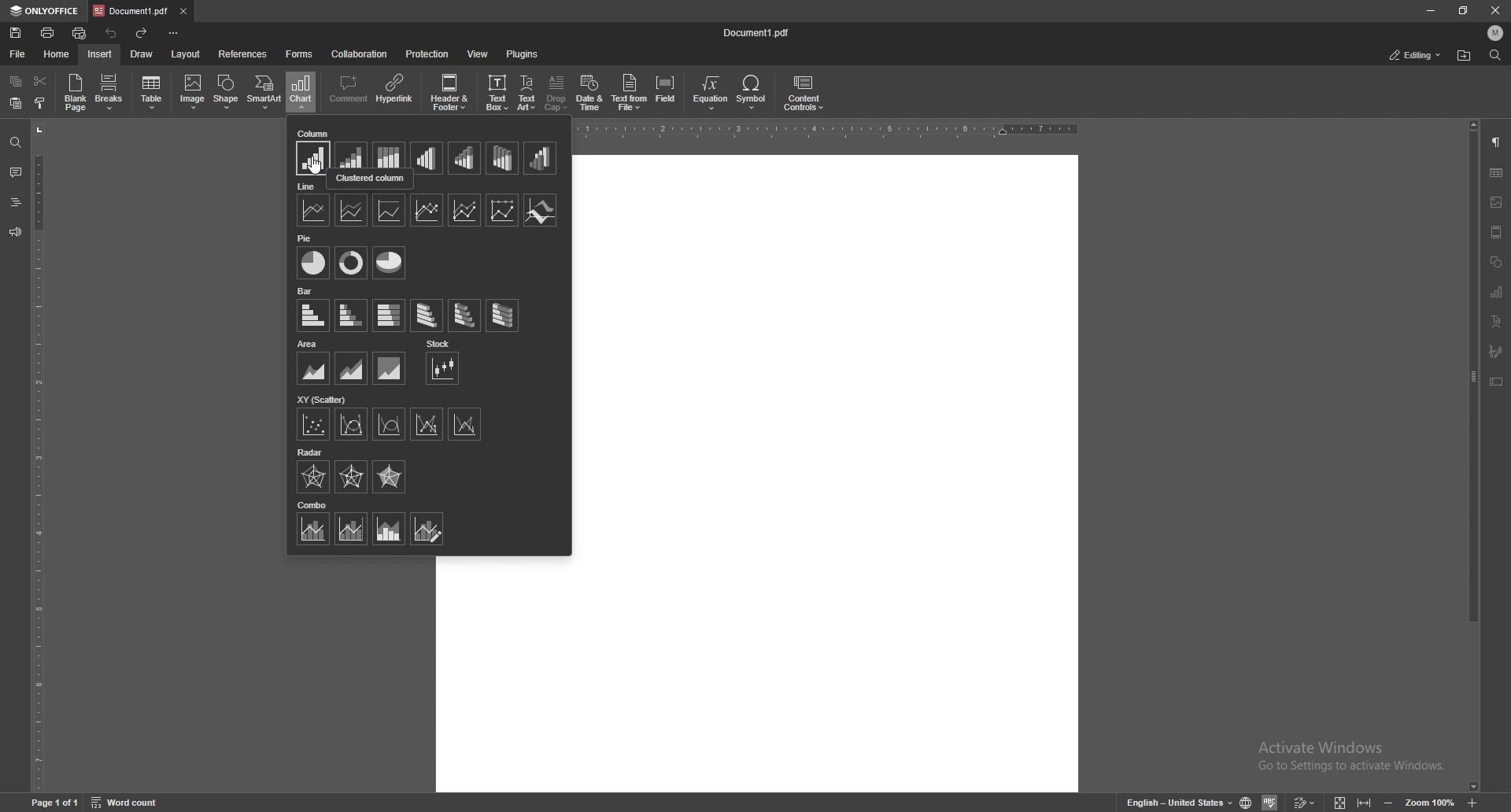  What do you see at coordinates (427, 529) in the screenshot?
I see `custom combination` at bounding box center [427, 529].